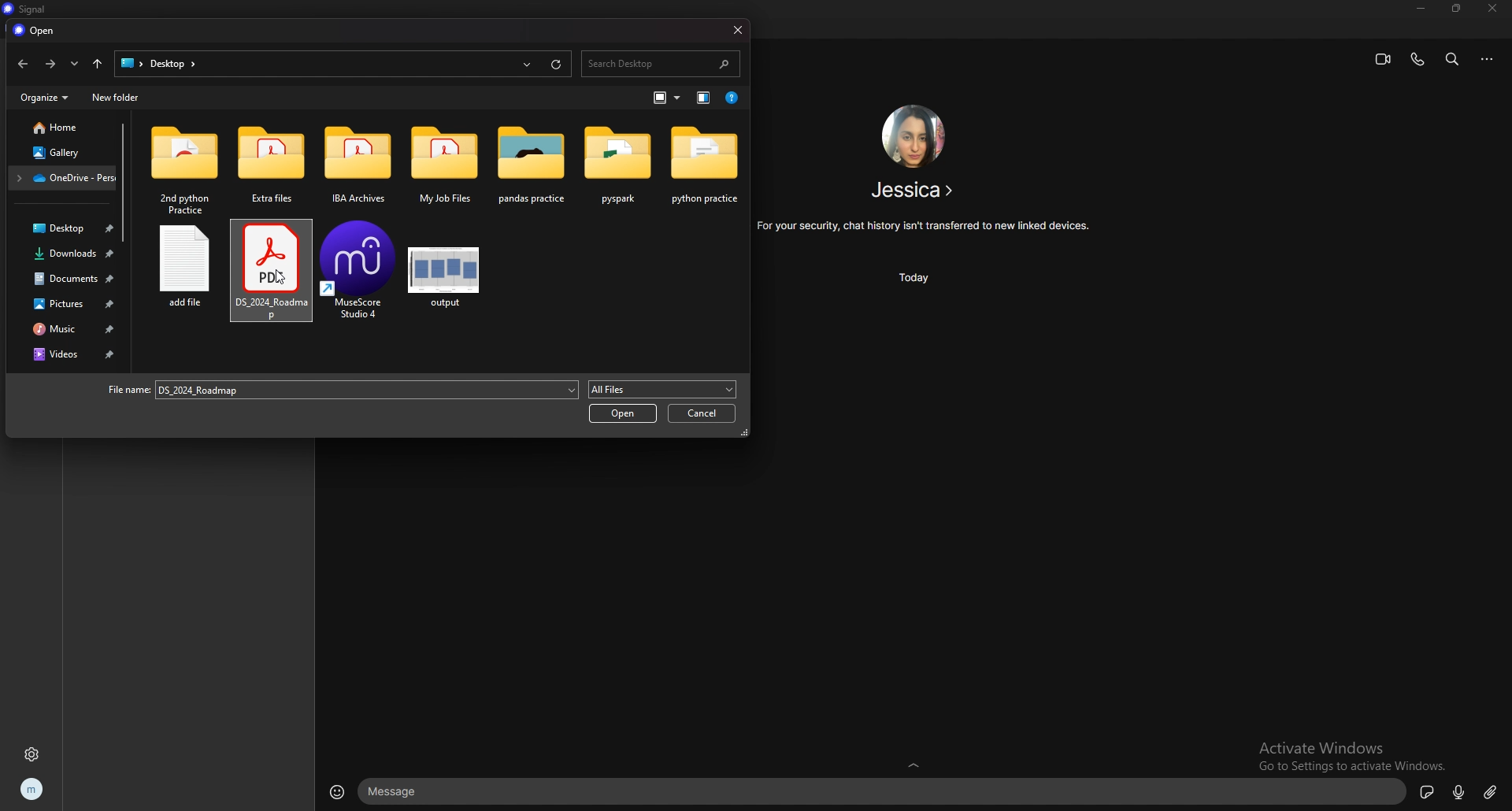 Image resolution: width=1512 pixels, height=811 pixels. What do you see at coordinates (884, 792) in the screenshot?
I see `text input` at bounding box center [884, 792].